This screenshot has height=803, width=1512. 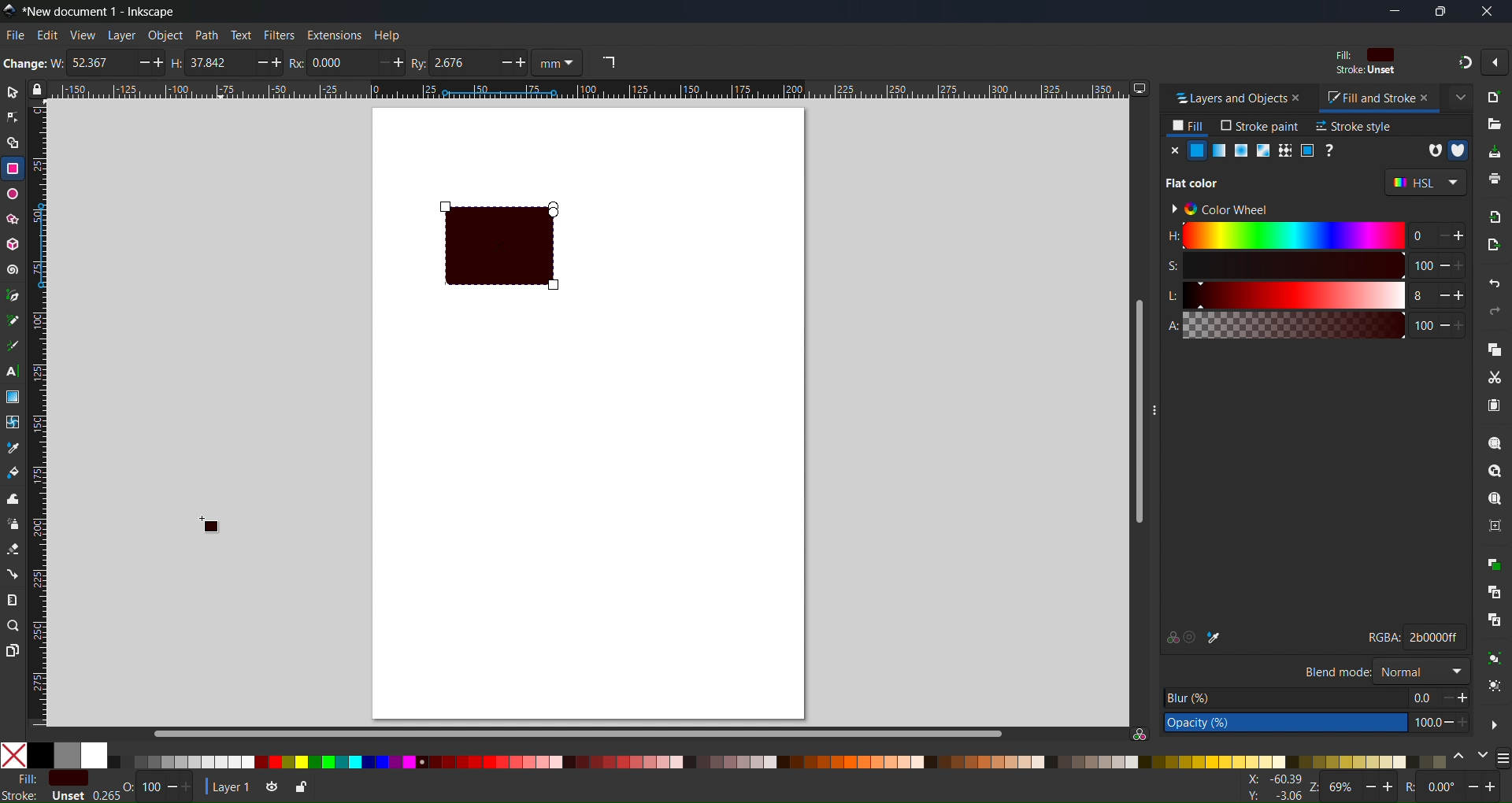 I want to click on Pattern, so click(x=1284, y=150).